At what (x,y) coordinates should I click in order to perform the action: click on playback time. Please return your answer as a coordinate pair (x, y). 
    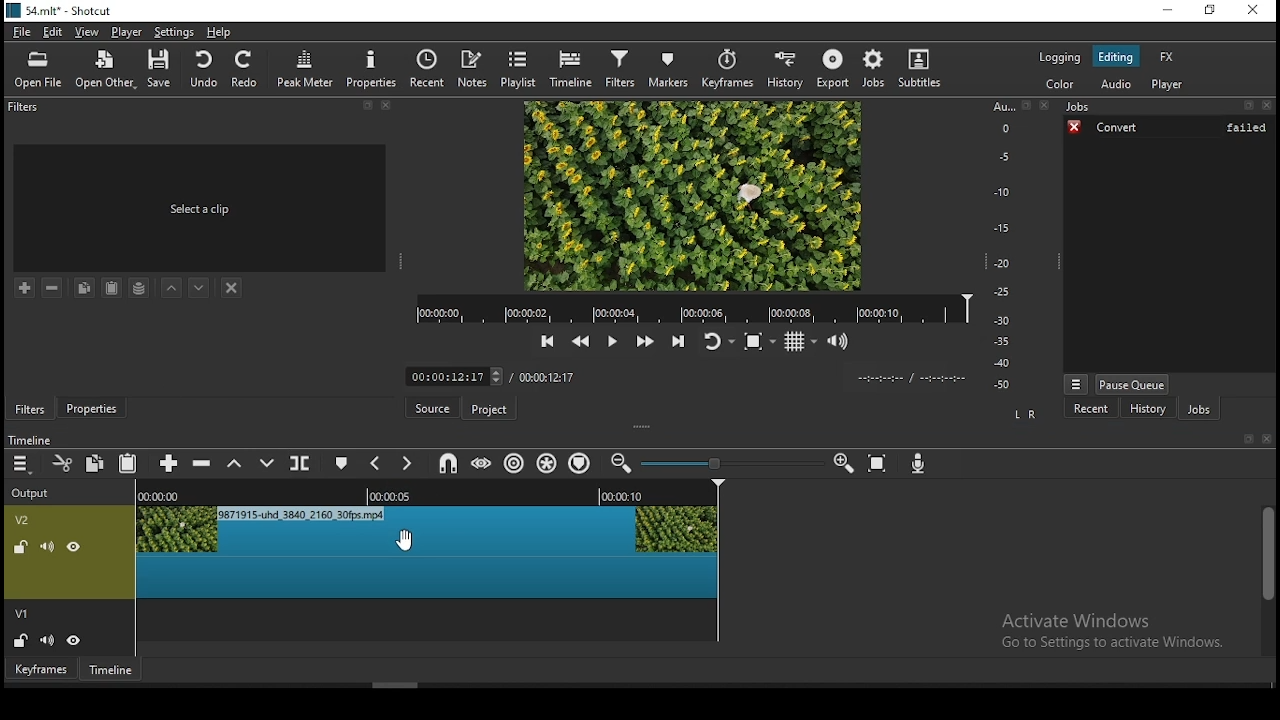
    Looking at the image, I should click on (693, 309).